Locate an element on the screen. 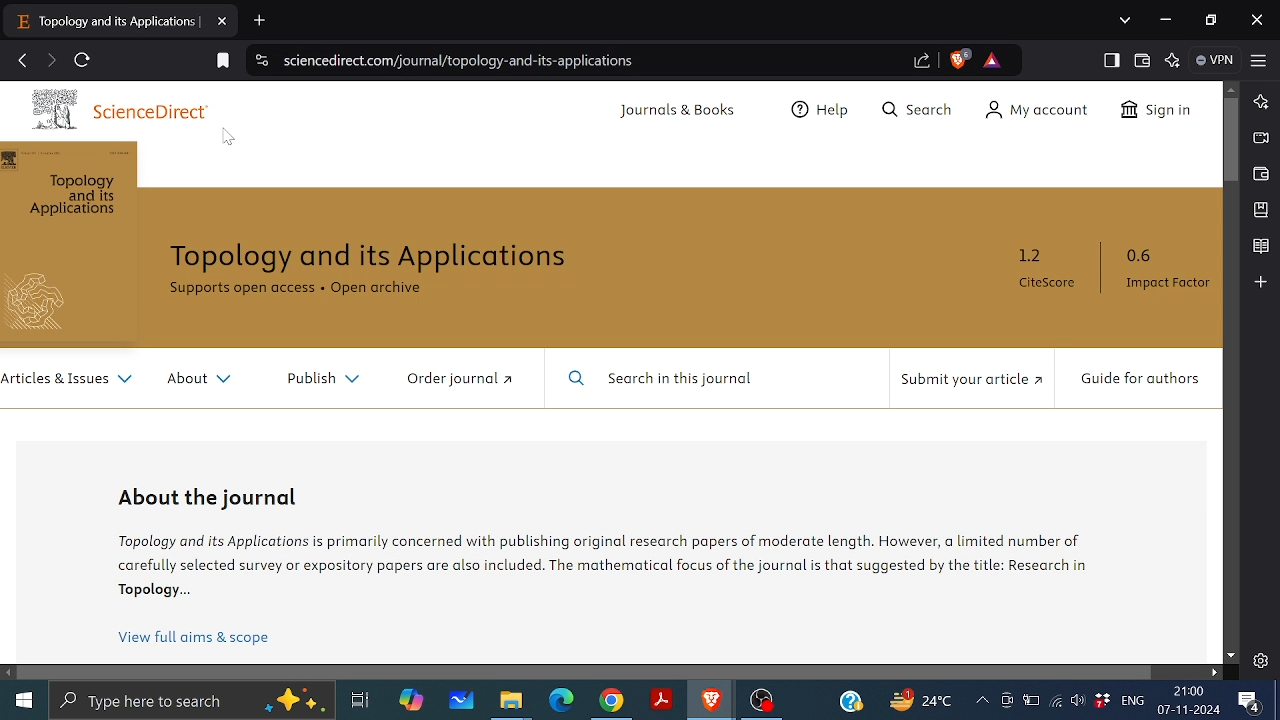  Guide for authors is located at coordinates (1141, 379).